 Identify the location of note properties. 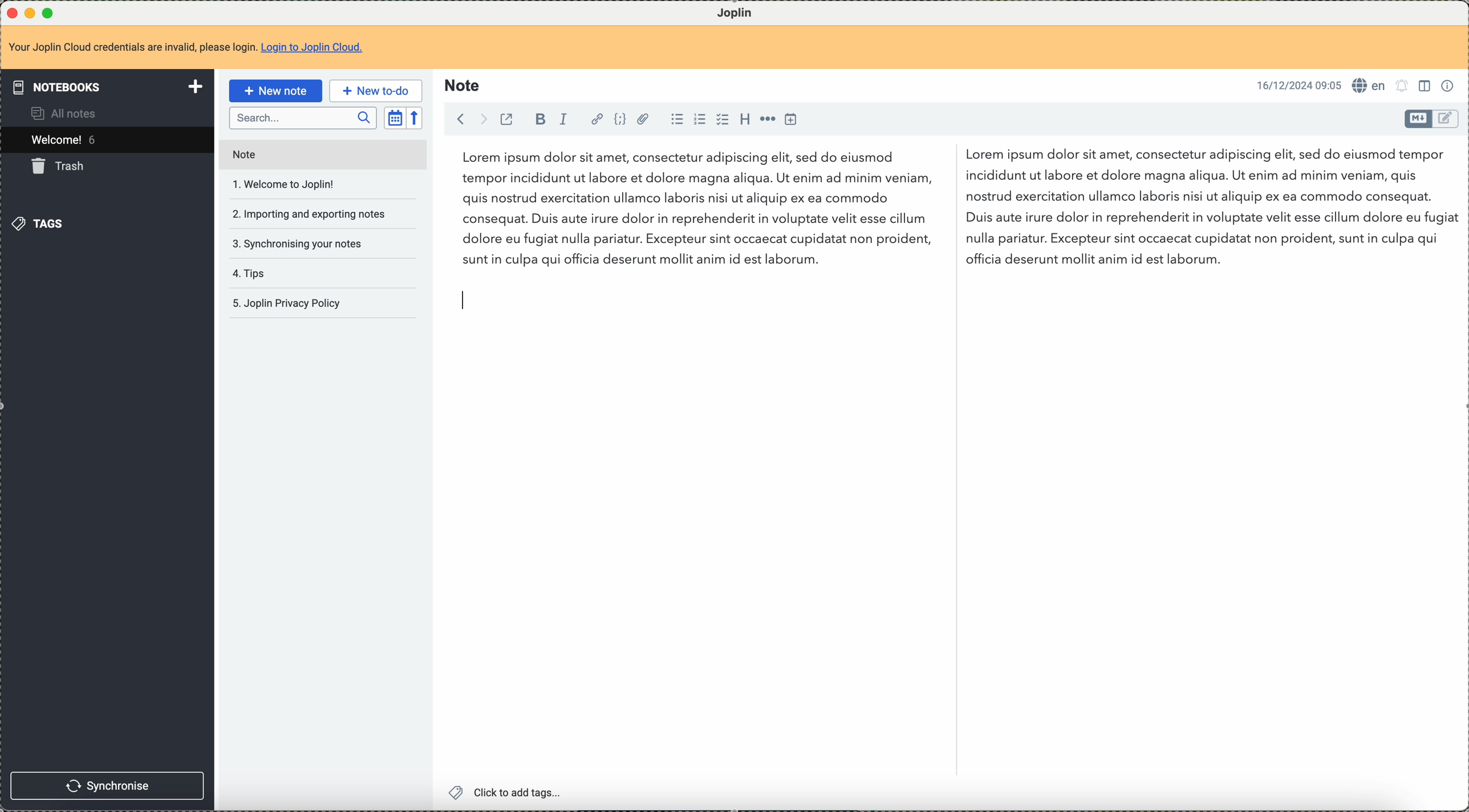
(1450, 88).